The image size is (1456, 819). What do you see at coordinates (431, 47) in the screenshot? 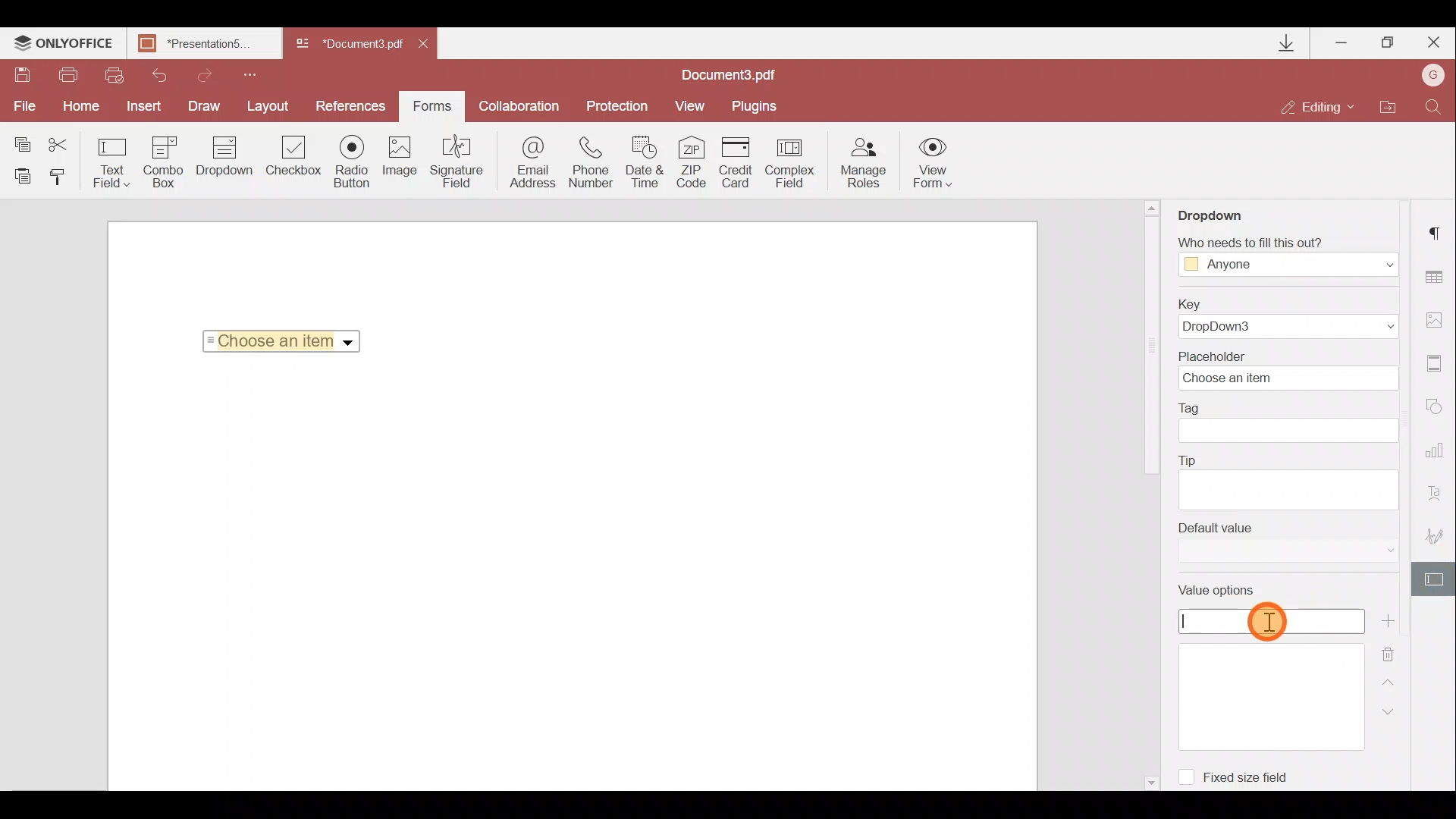
I see `Close` at bounding box center [431, 47].